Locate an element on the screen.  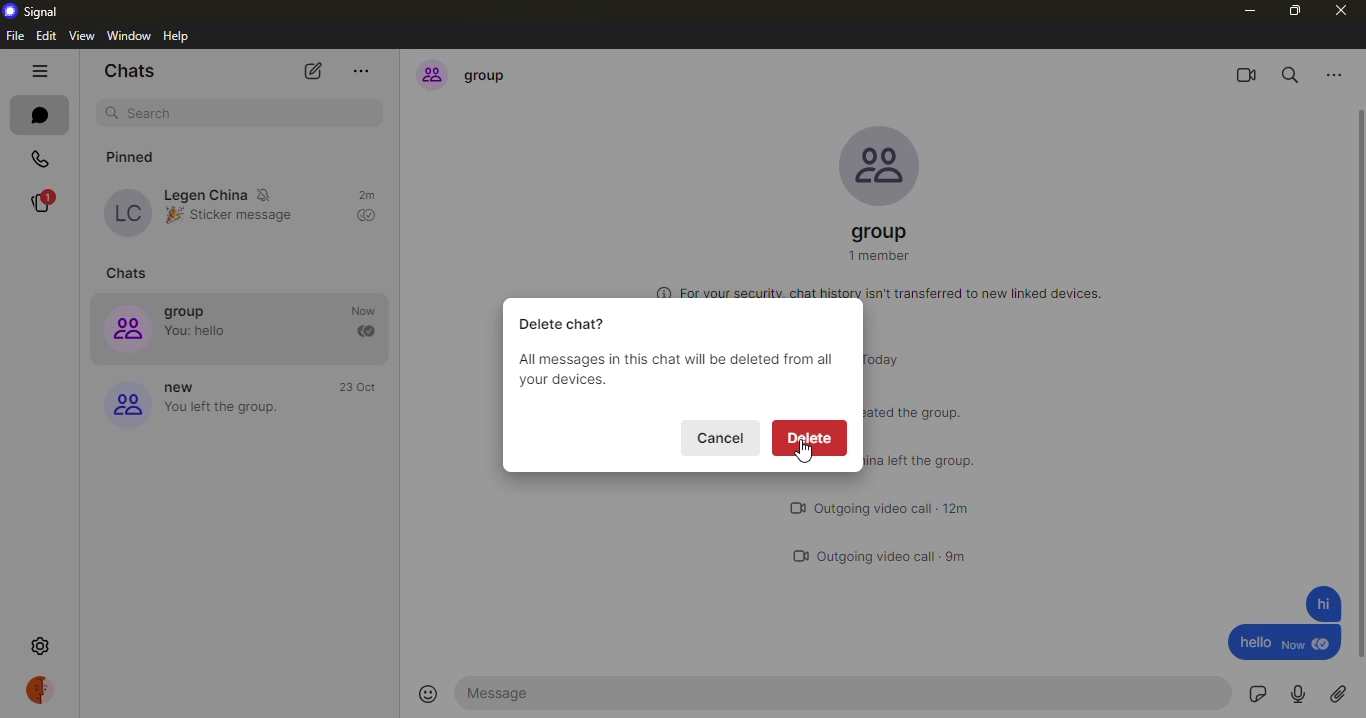
chats is located at coordinates (128, 72).